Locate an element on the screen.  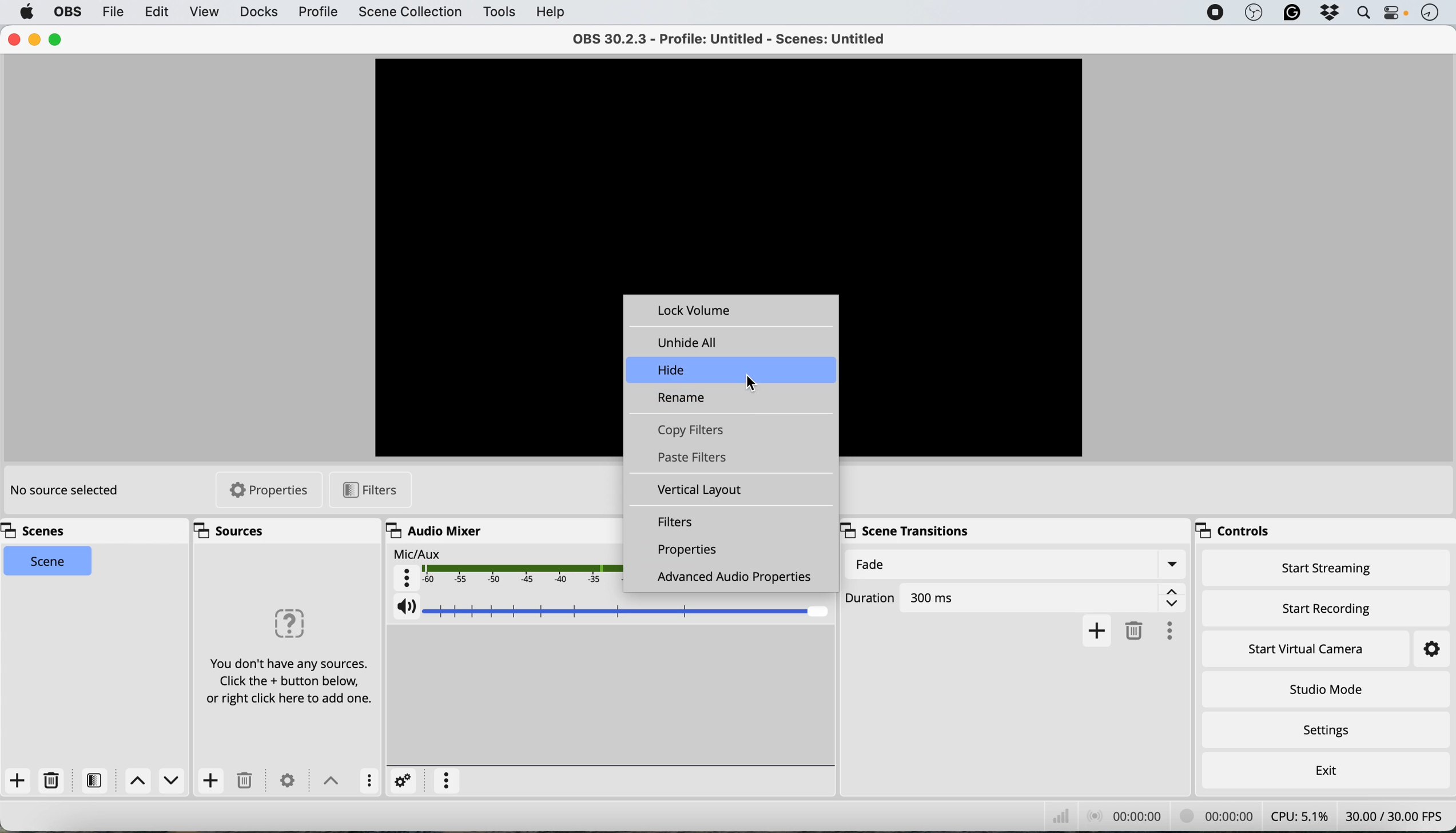
grammarly is located at coordinates (1291, 13).